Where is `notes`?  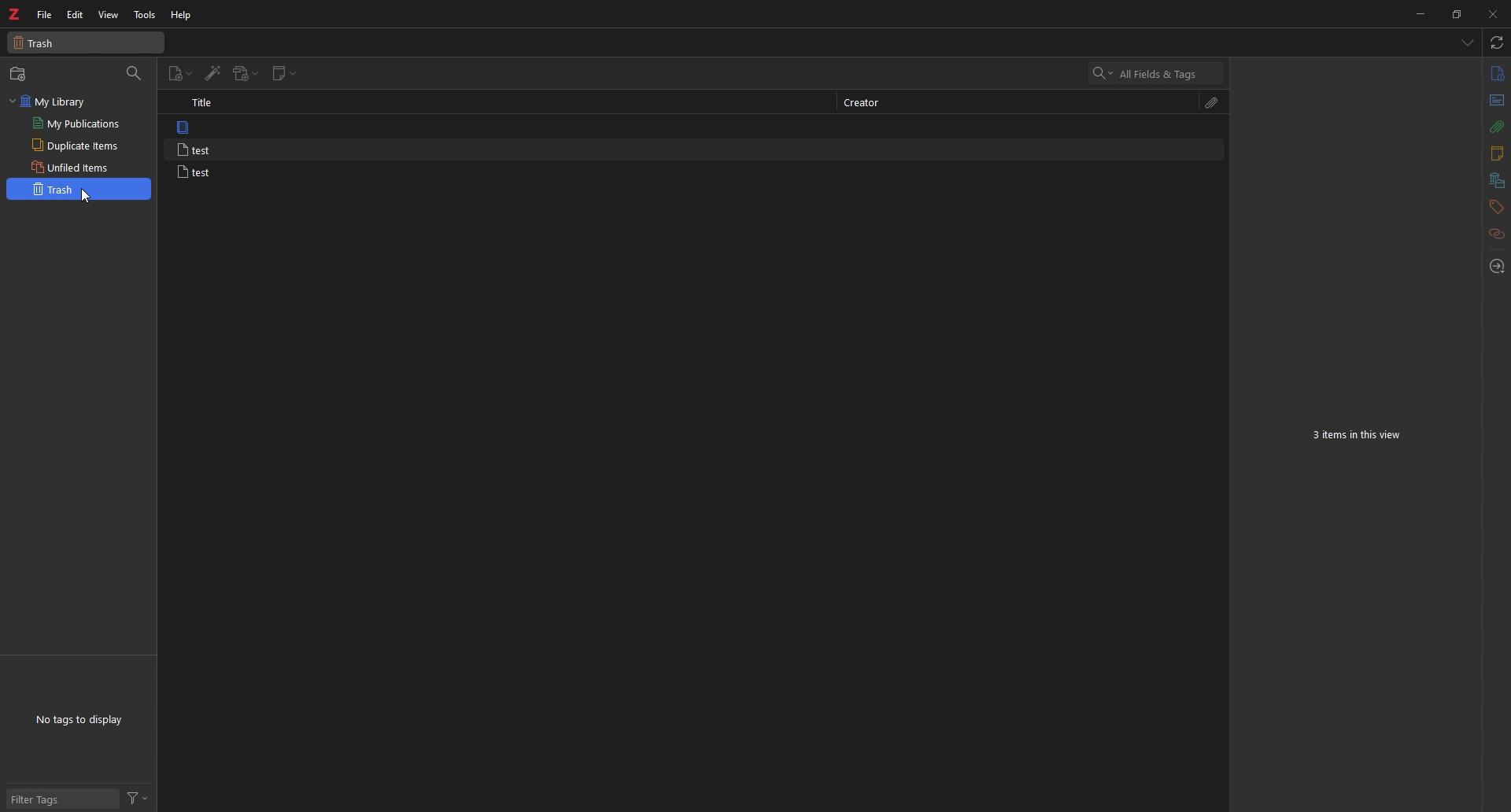 notes is located at coordinates (1495, 154).